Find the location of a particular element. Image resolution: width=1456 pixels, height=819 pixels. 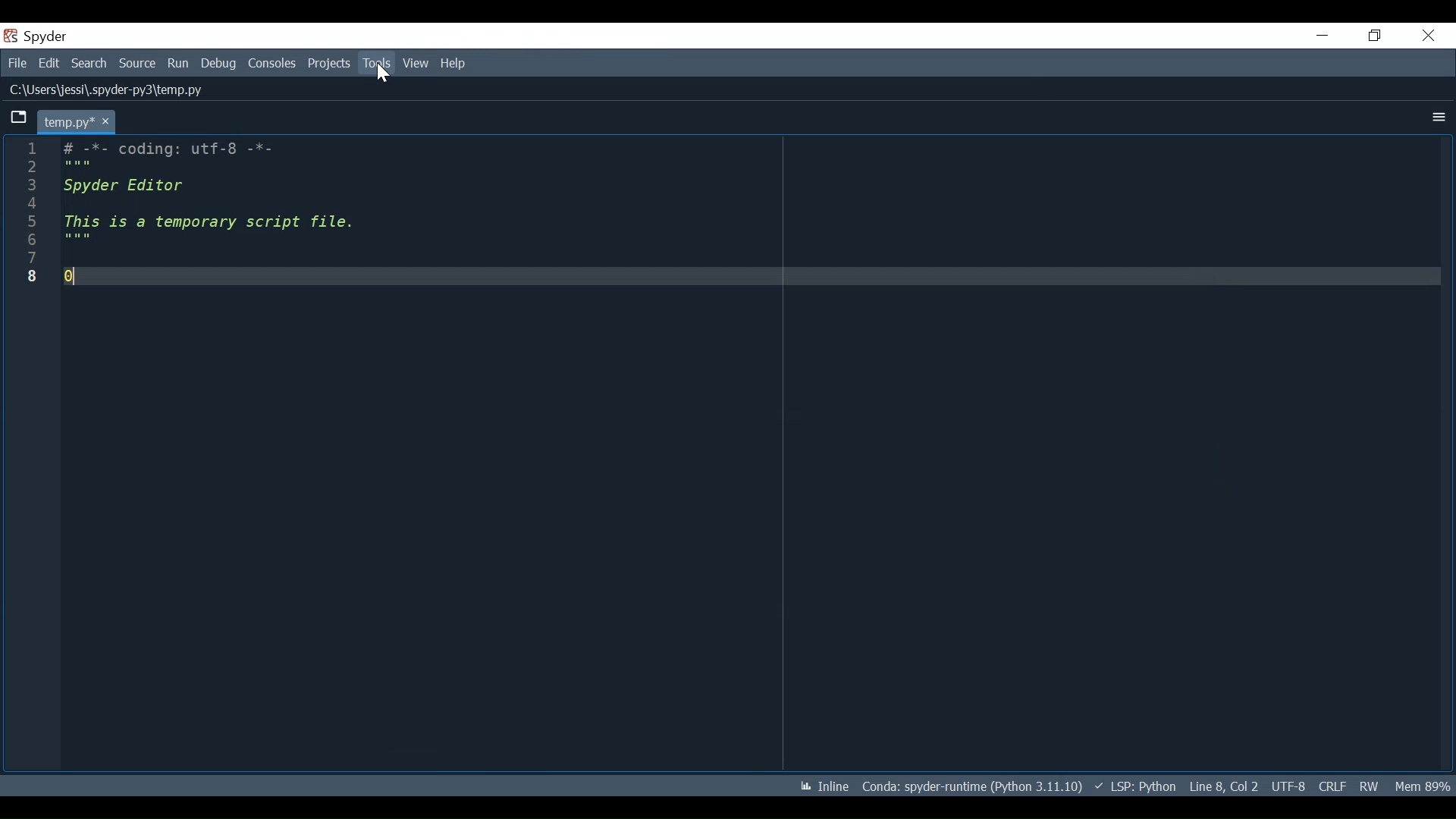

Current tab is located at coordinates (75, 121).